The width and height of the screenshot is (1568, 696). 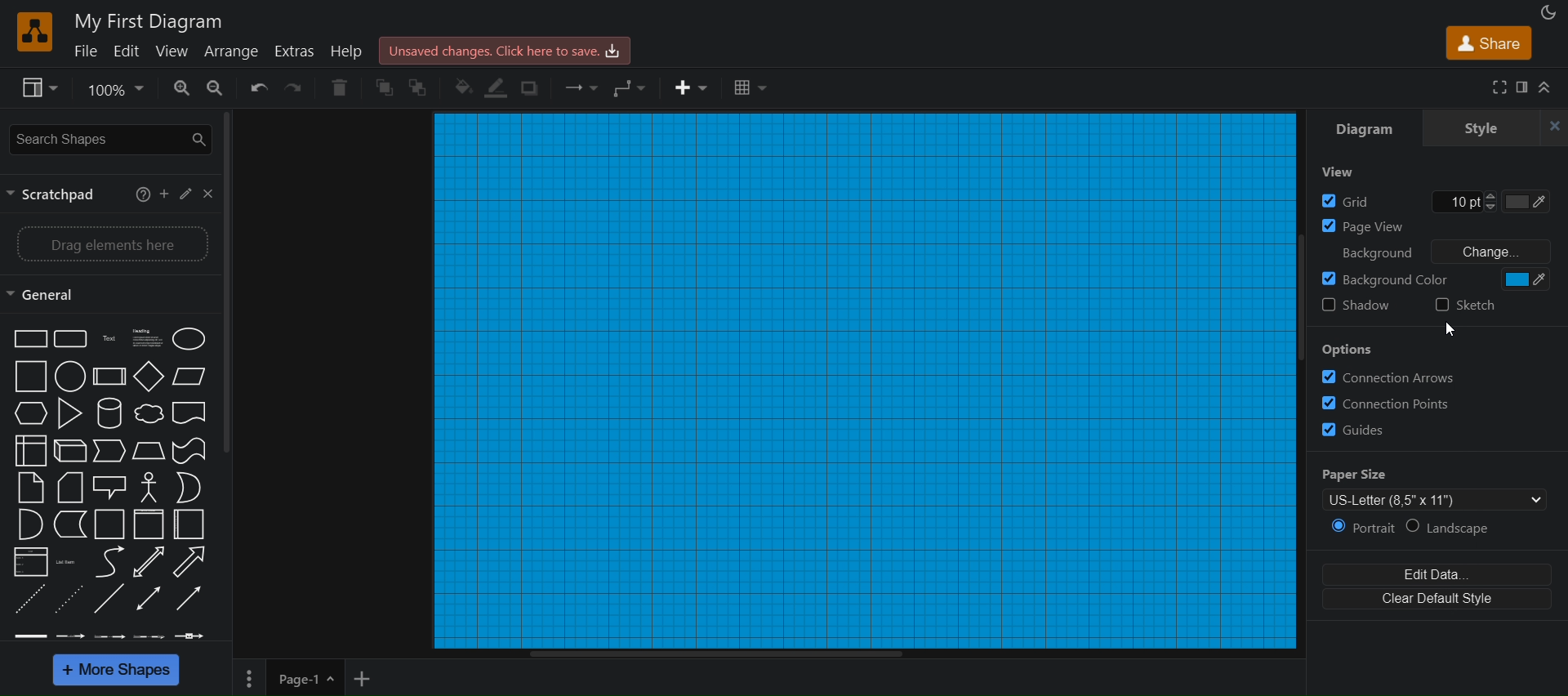 I want to click on edit, so click(x=127, y=53).